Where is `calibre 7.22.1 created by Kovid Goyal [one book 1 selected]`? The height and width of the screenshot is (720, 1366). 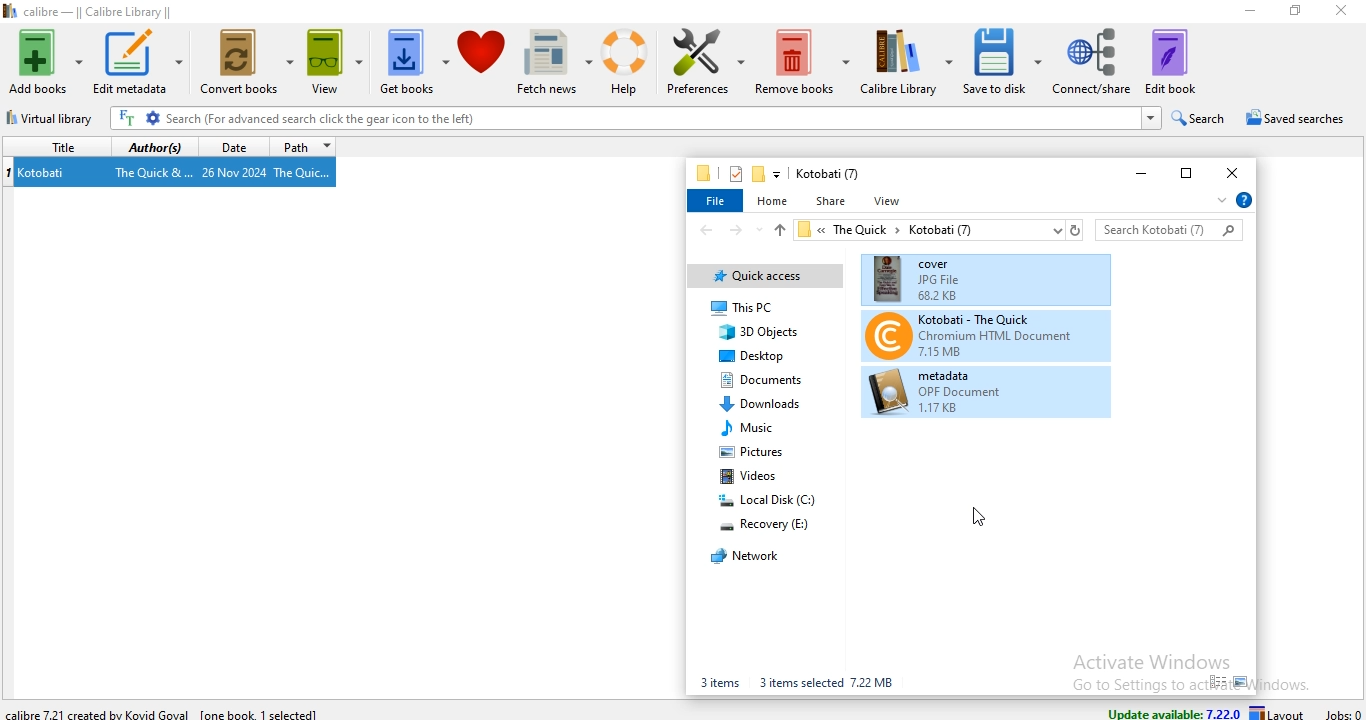 calibre 7.22.1 created by Kovid Goyal [one book 1 selected] is located at coordinates (167, 712).